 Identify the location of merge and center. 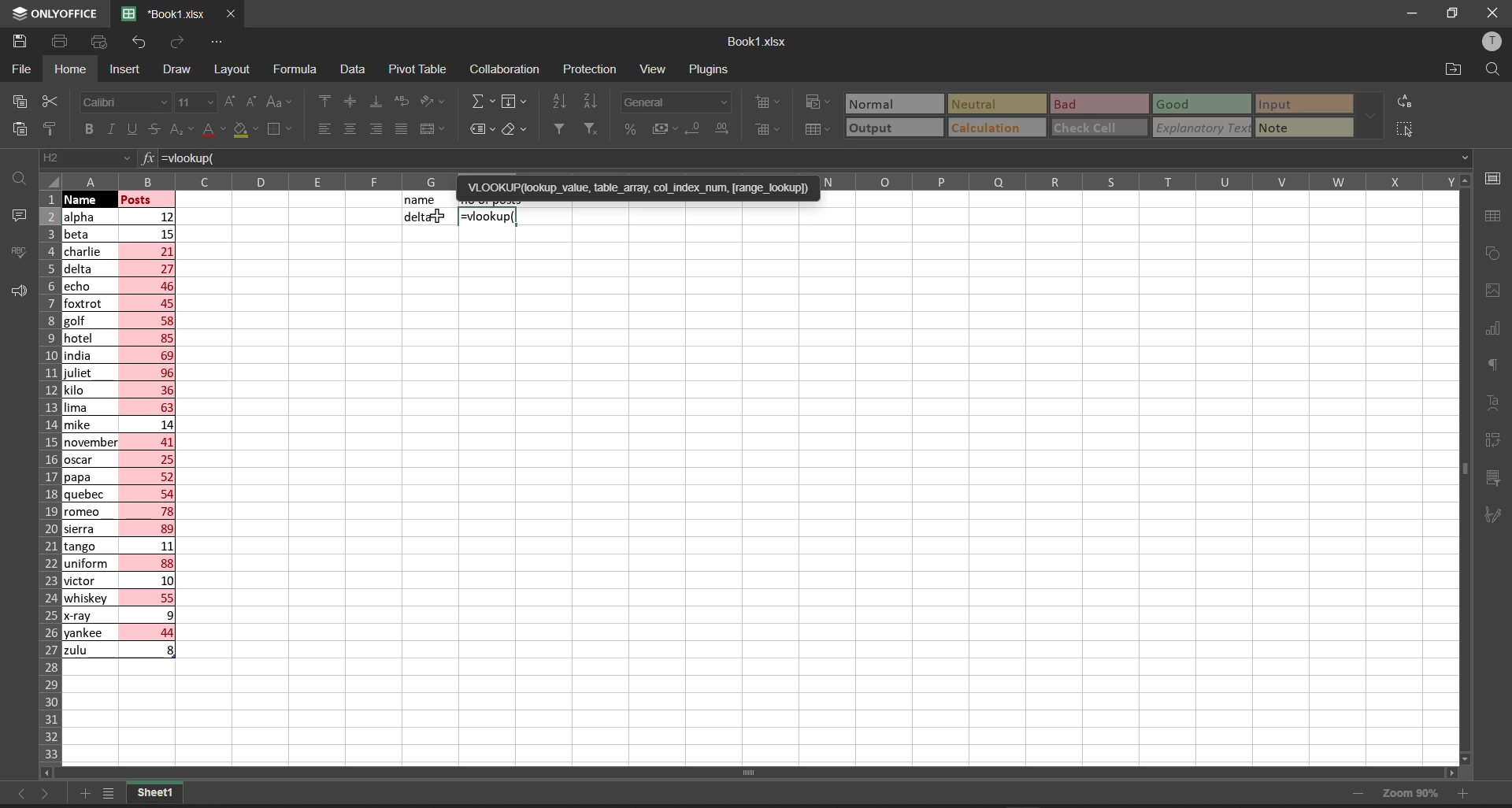
(433, 130).